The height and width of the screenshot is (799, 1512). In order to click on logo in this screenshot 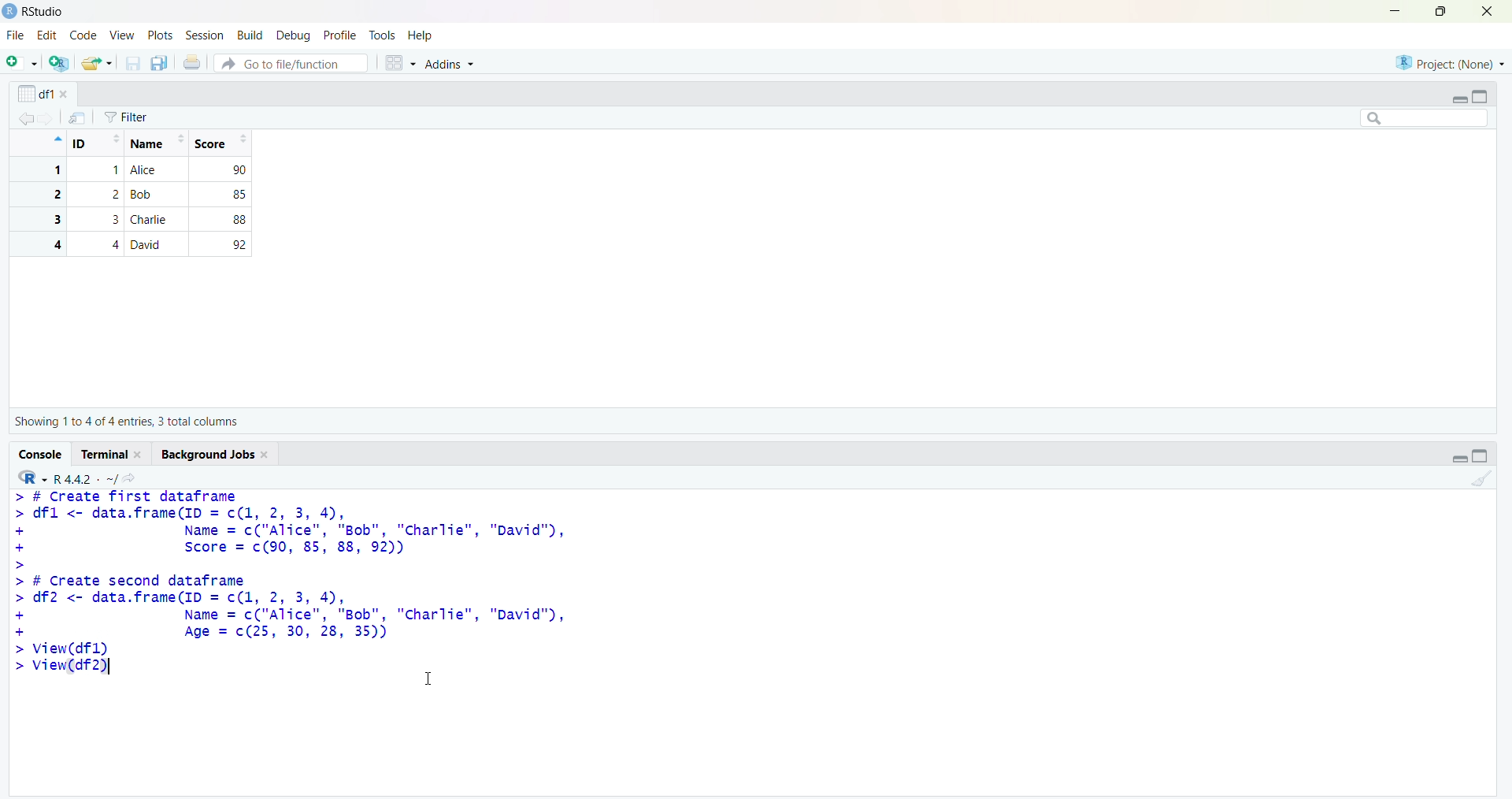, I will do `click(11, 12)`.